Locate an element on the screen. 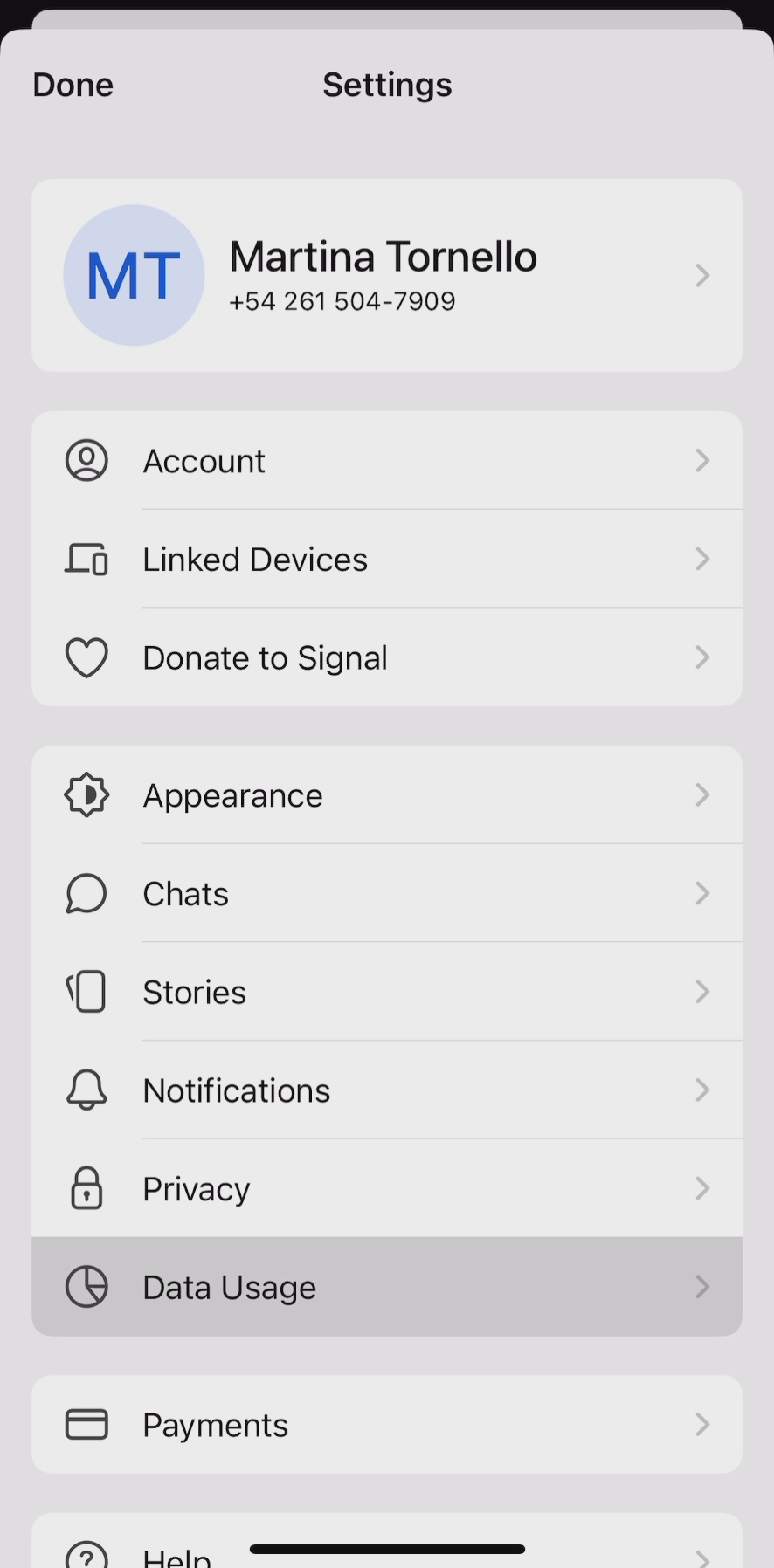 This screenshot has width=774, height=1568. done is located at coordinates (73, 86).